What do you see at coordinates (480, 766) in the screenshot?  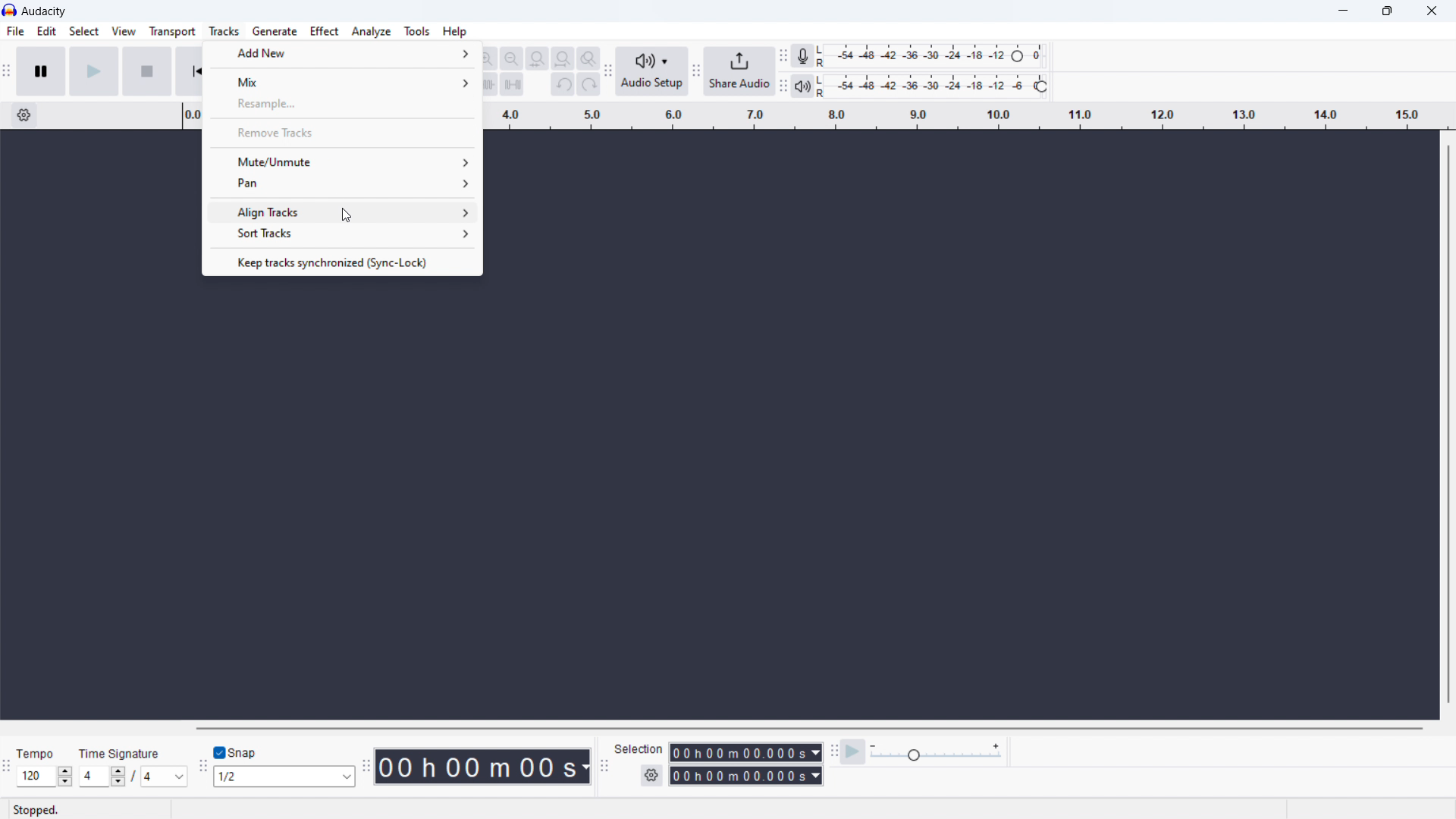 I see `current time stamp` at bounding box center [480, 766].